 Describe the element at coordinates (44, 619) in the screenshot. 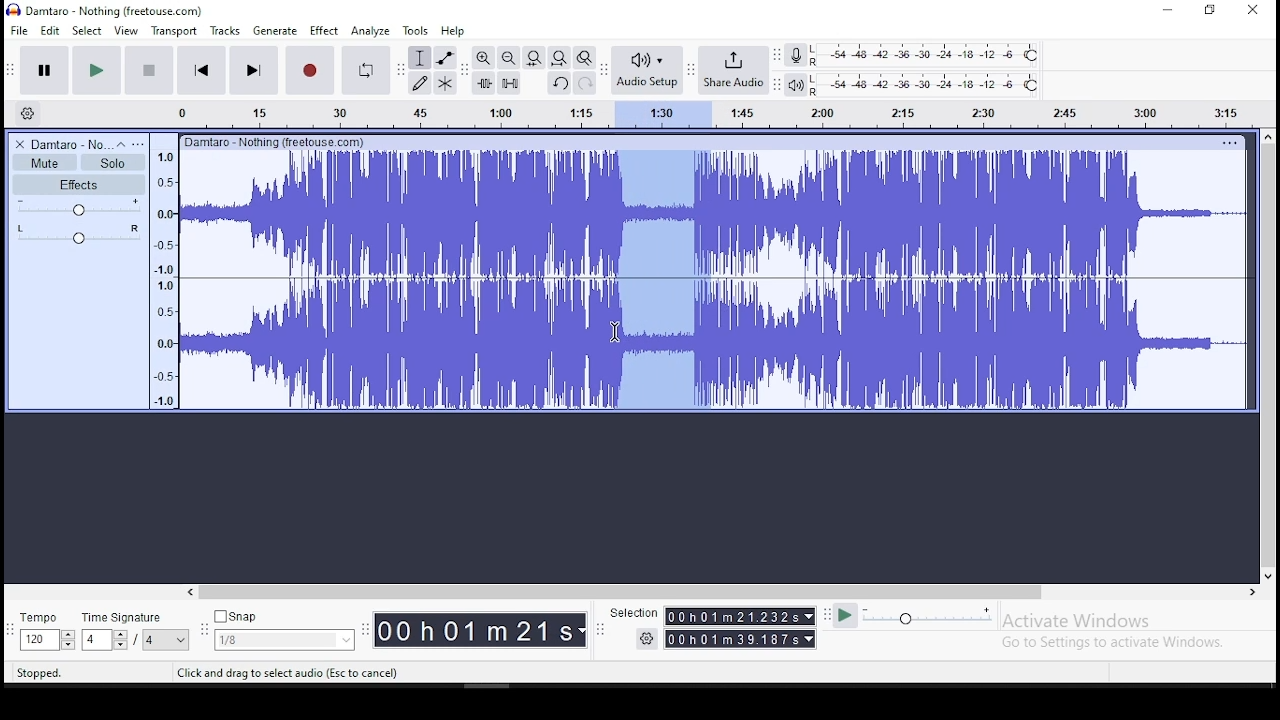

I see `tempo` at that location.